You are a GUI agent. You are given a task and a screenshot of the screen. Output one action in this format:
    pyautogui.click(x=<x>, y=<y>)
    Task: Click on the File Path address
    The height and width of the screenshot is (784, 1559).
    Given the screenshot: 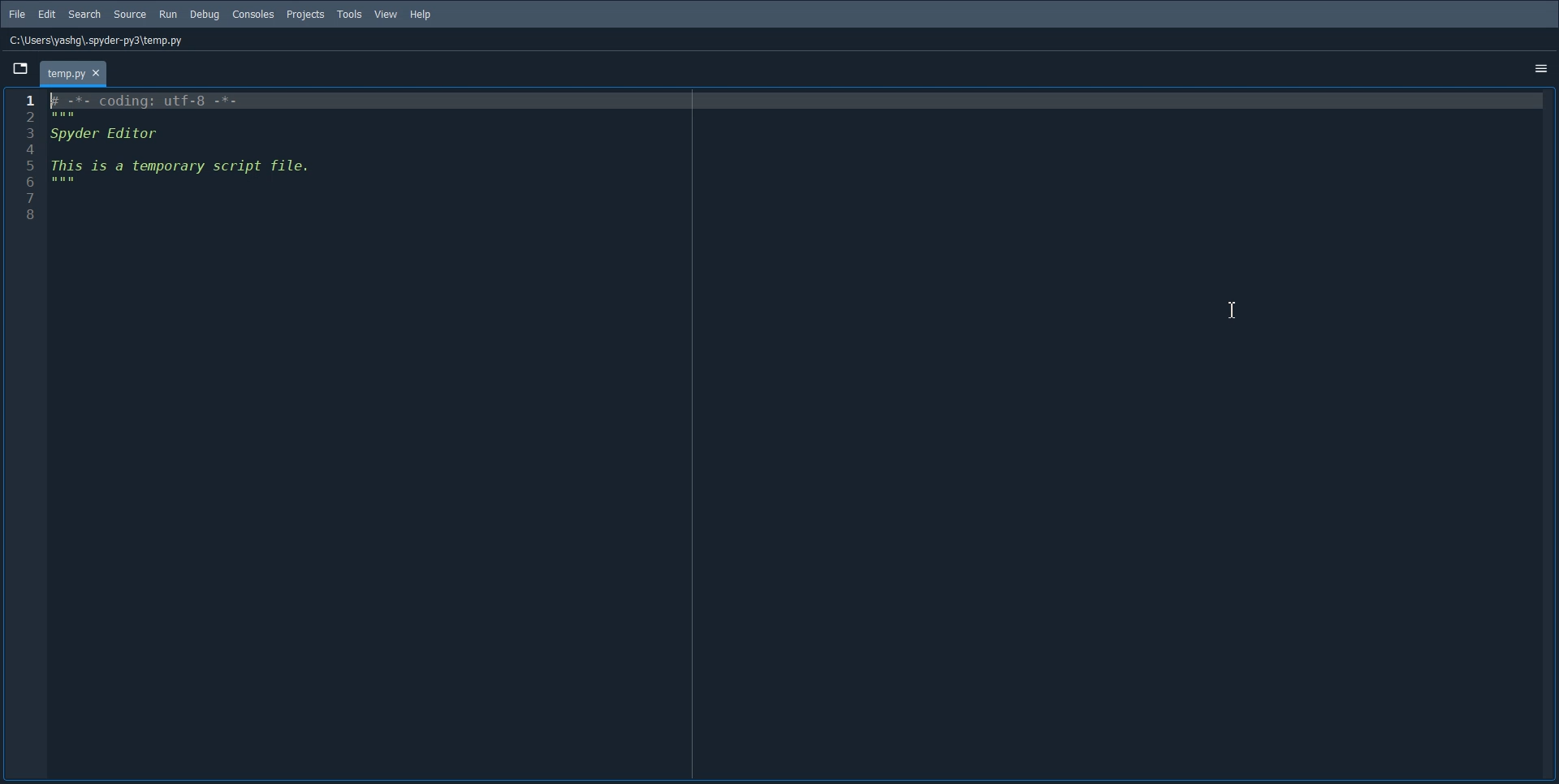 What is the action you would take?
    pyautogui.click(x=98, y=41)
    